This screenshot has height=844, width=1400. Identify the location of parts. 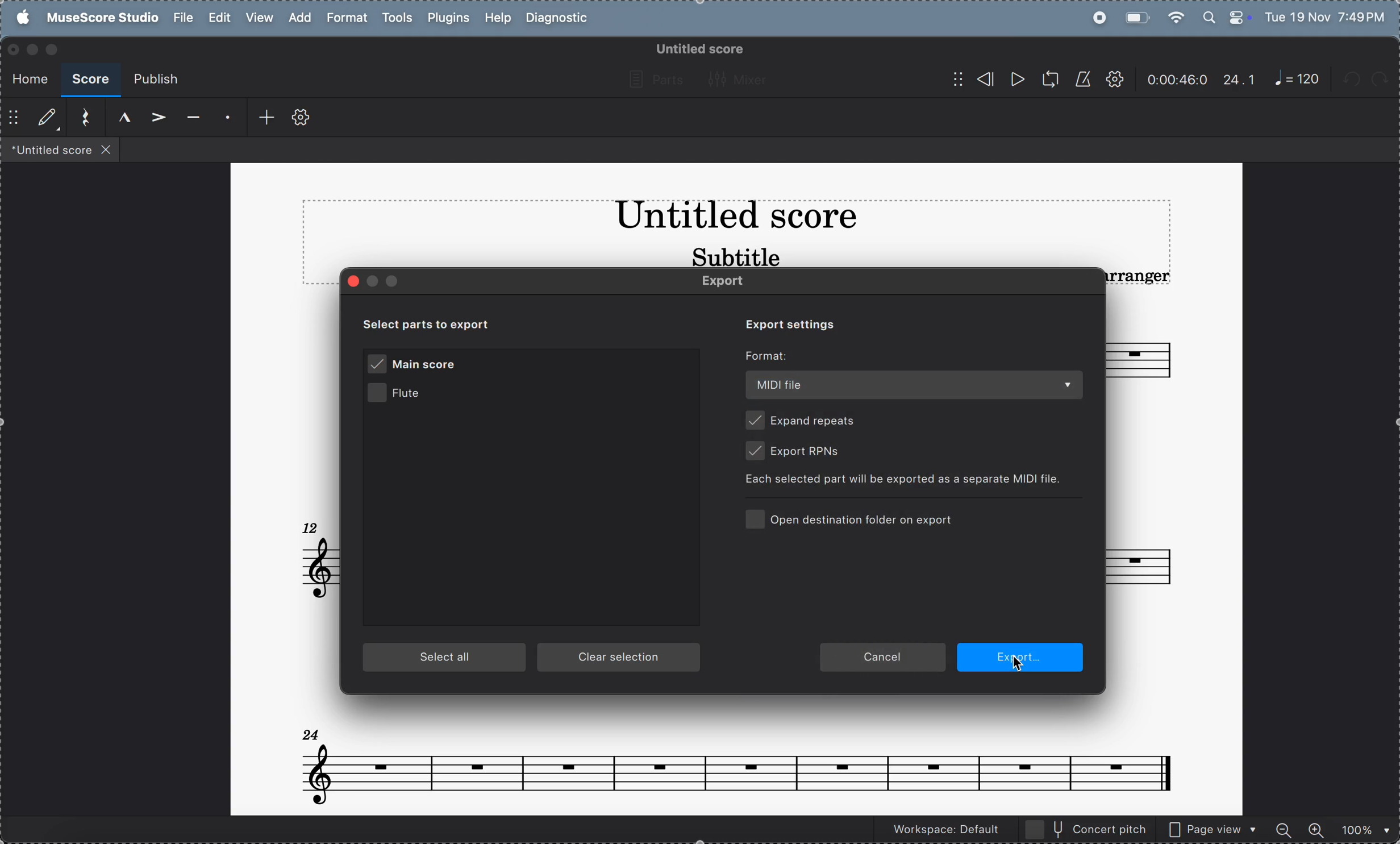
(653, 80).